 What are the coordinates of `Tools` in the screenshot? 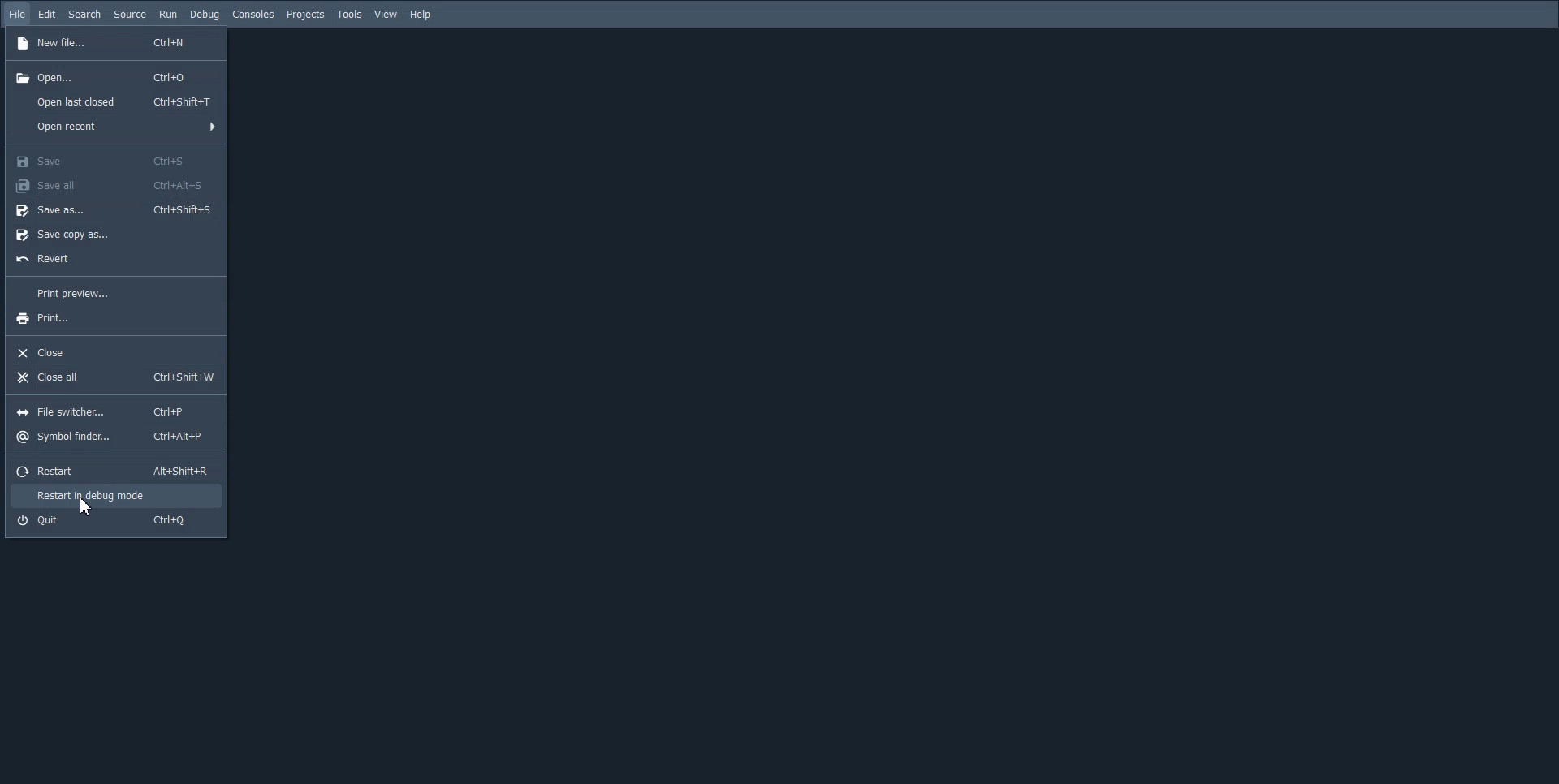 It's located at (349, 15).